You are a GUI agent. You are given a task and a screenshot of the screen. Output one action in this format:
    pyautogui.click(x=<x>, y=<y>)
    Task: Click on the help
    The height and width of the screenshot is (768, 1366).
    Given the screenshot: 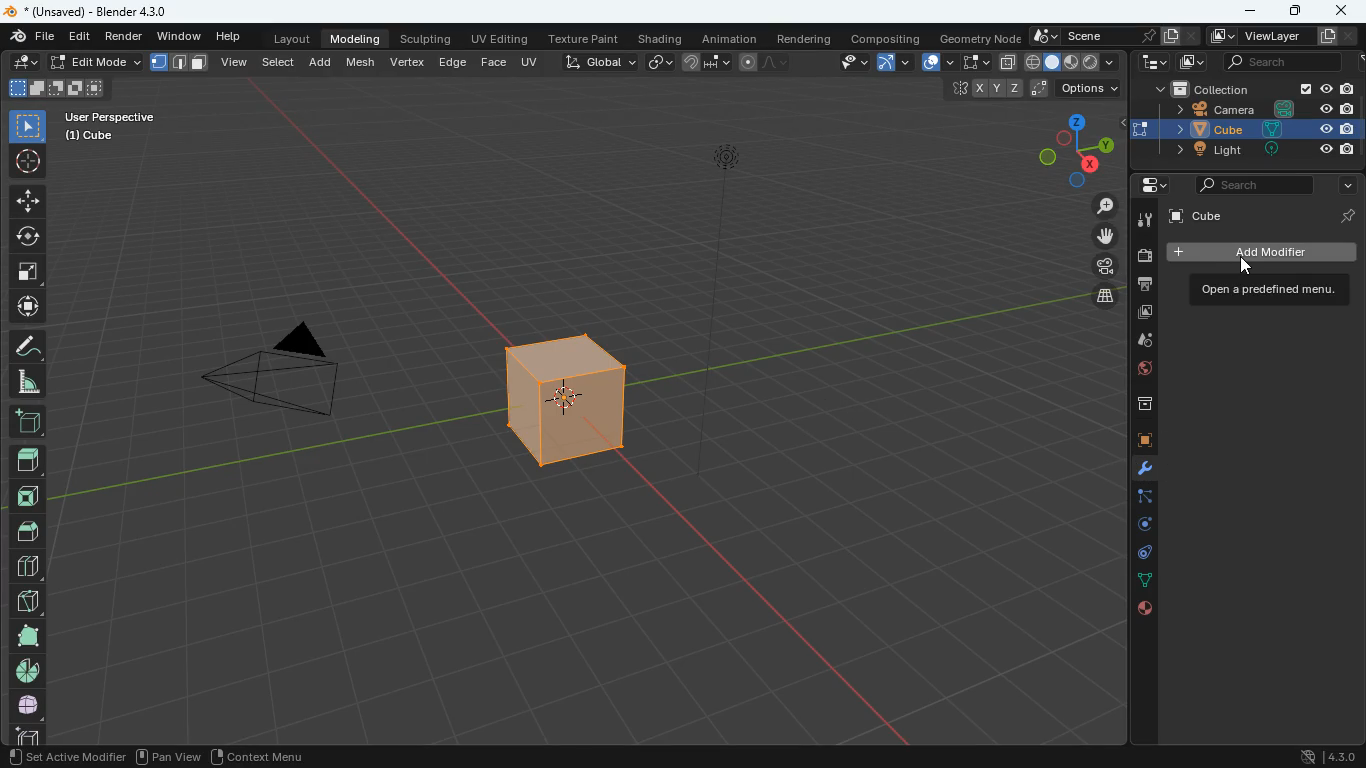 What is the action you would take?
    pyautogui.click(x=231, y=33)
    